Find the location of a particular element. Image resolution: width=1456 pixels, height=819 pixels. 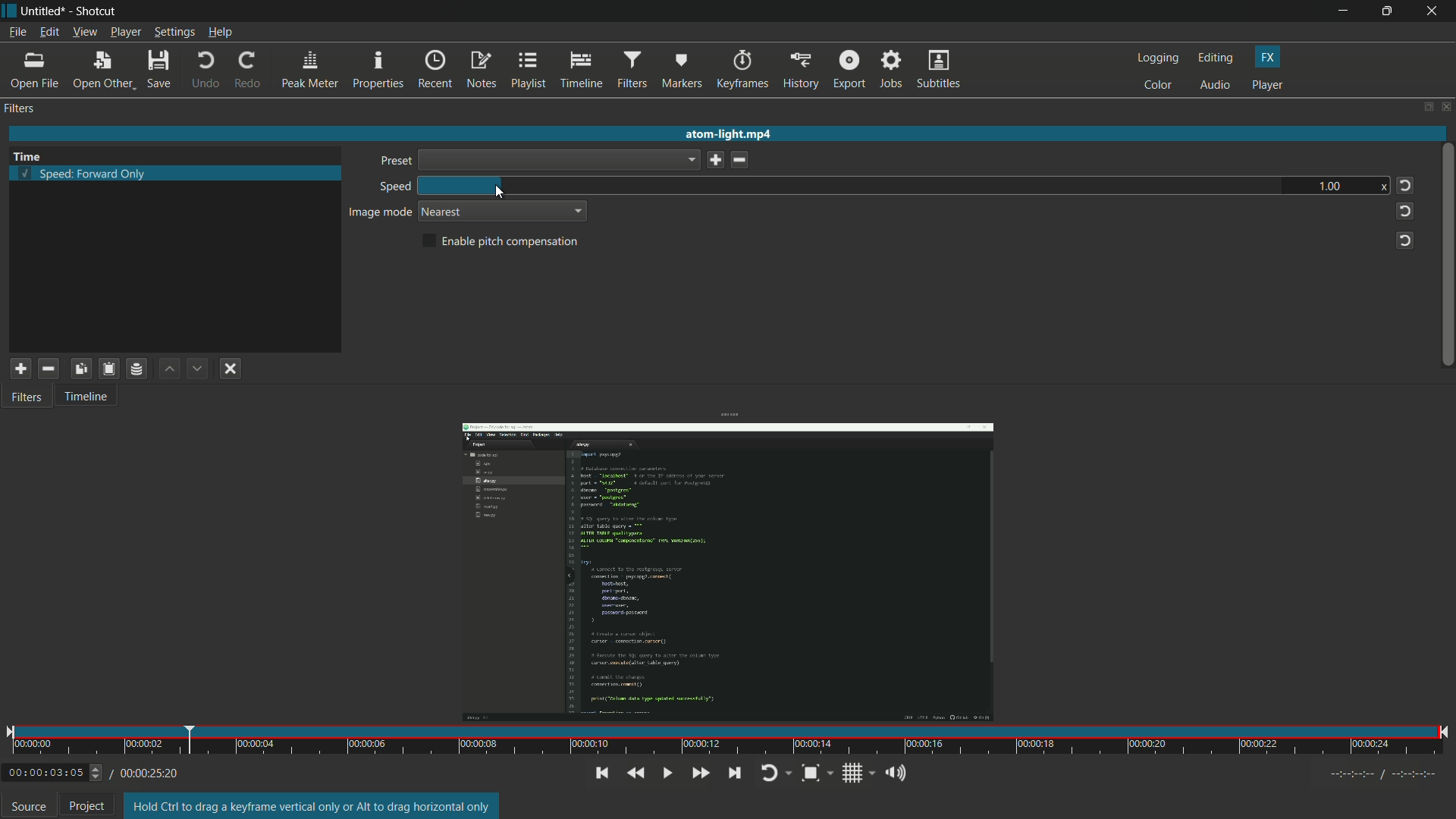

add a filter is located at coordinates (19, 369).